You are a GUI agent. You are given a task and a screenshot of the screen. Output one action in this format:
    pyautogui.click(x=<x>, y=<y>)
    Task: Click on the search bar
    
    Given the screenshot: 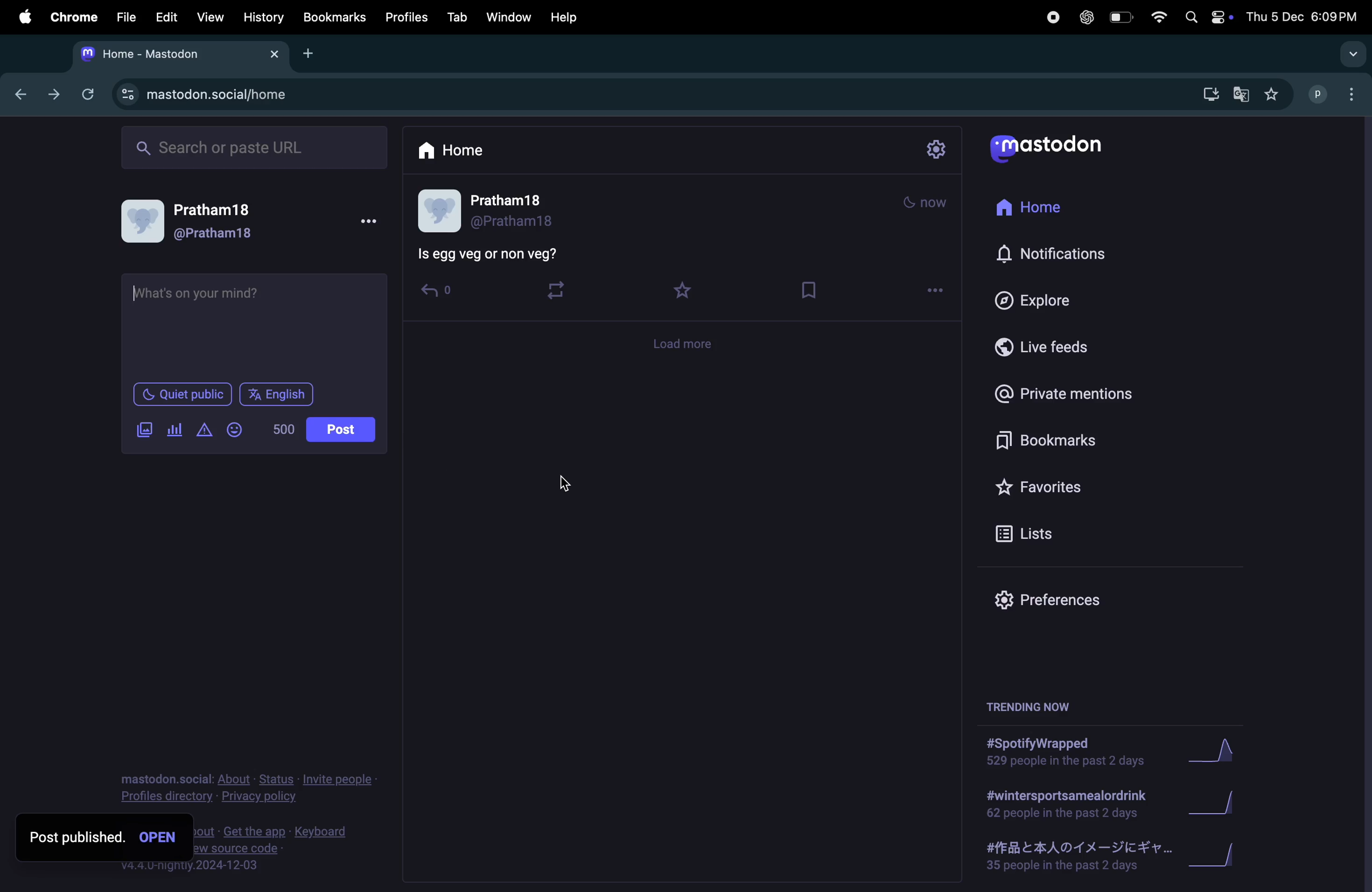 What is the action you would take?
    pyautogui.click(x=252, y=146)
    